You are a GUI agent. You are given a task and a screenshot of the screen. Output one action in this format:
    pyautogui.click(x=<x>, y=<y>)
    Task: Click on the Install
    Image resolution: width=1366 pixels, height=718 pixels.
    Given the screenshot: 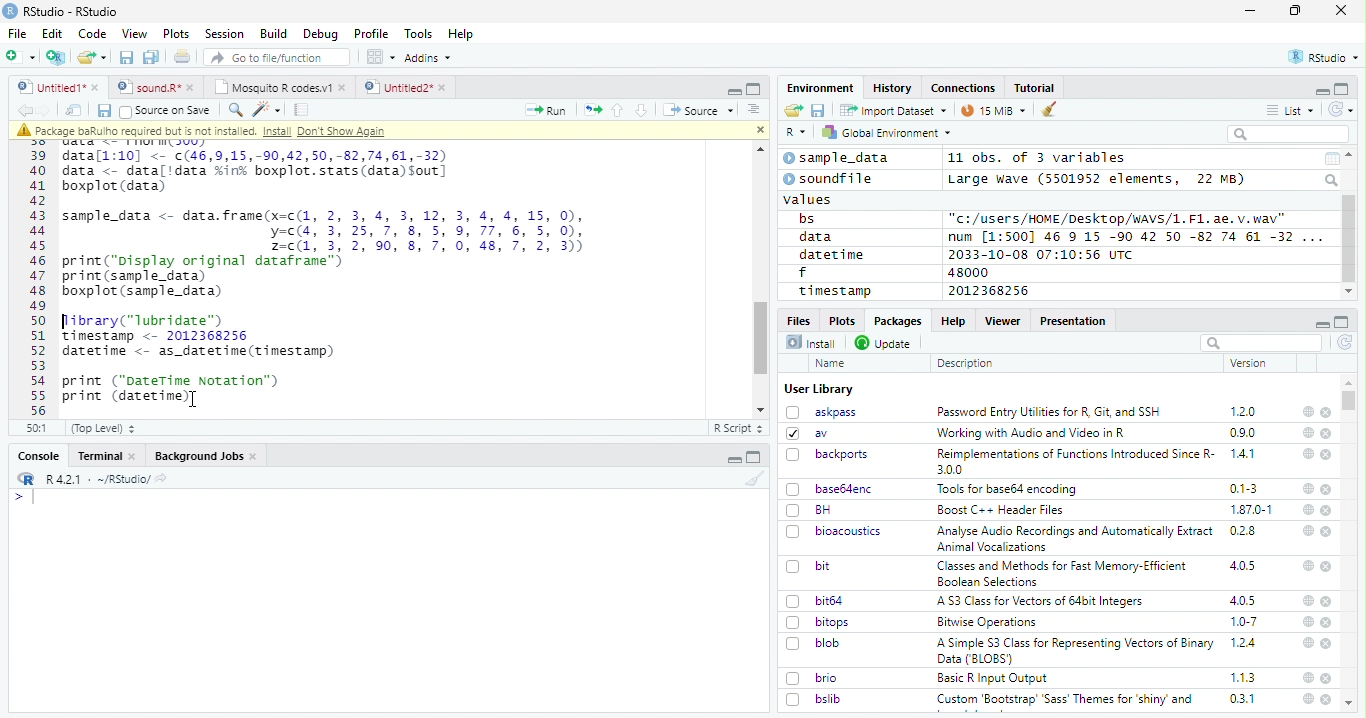 What is the action you would take?
    pyautogui.click(x=811, y=342)
    